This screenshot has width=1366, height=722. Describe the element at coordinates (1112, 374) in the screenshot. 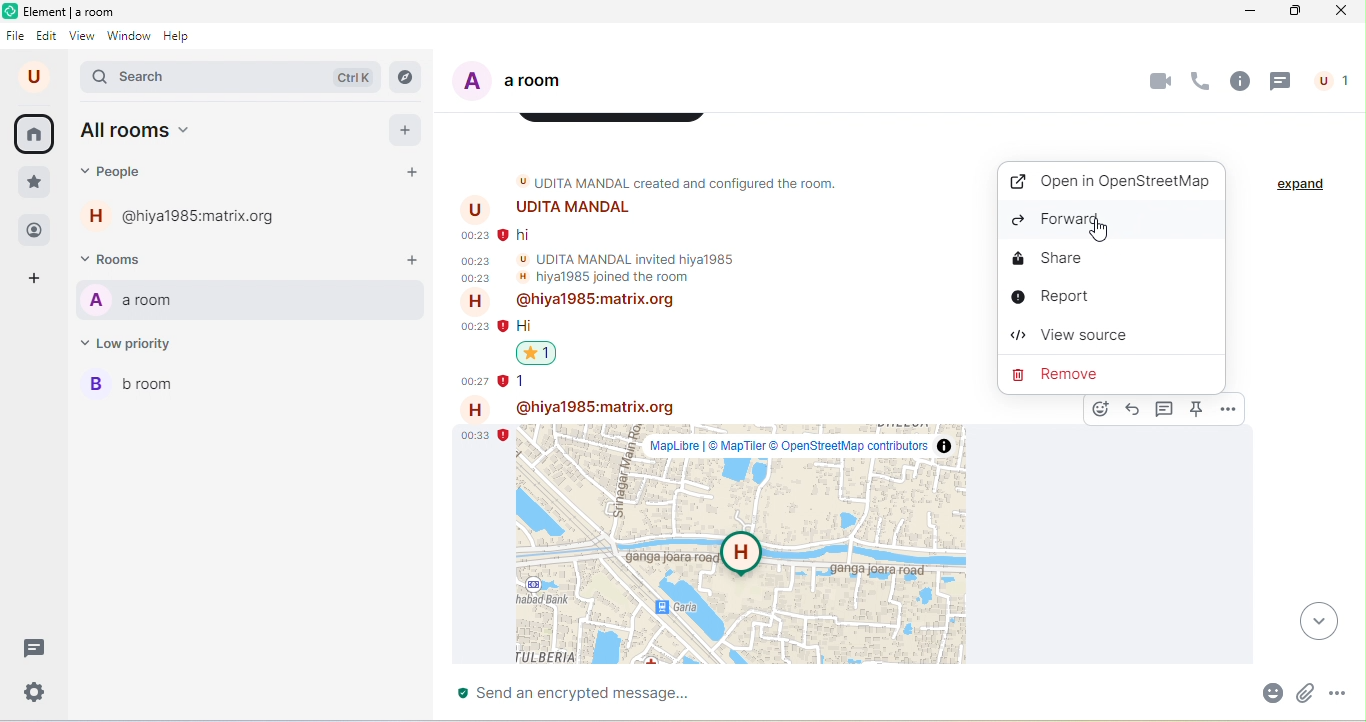

I see `remove` at that location.